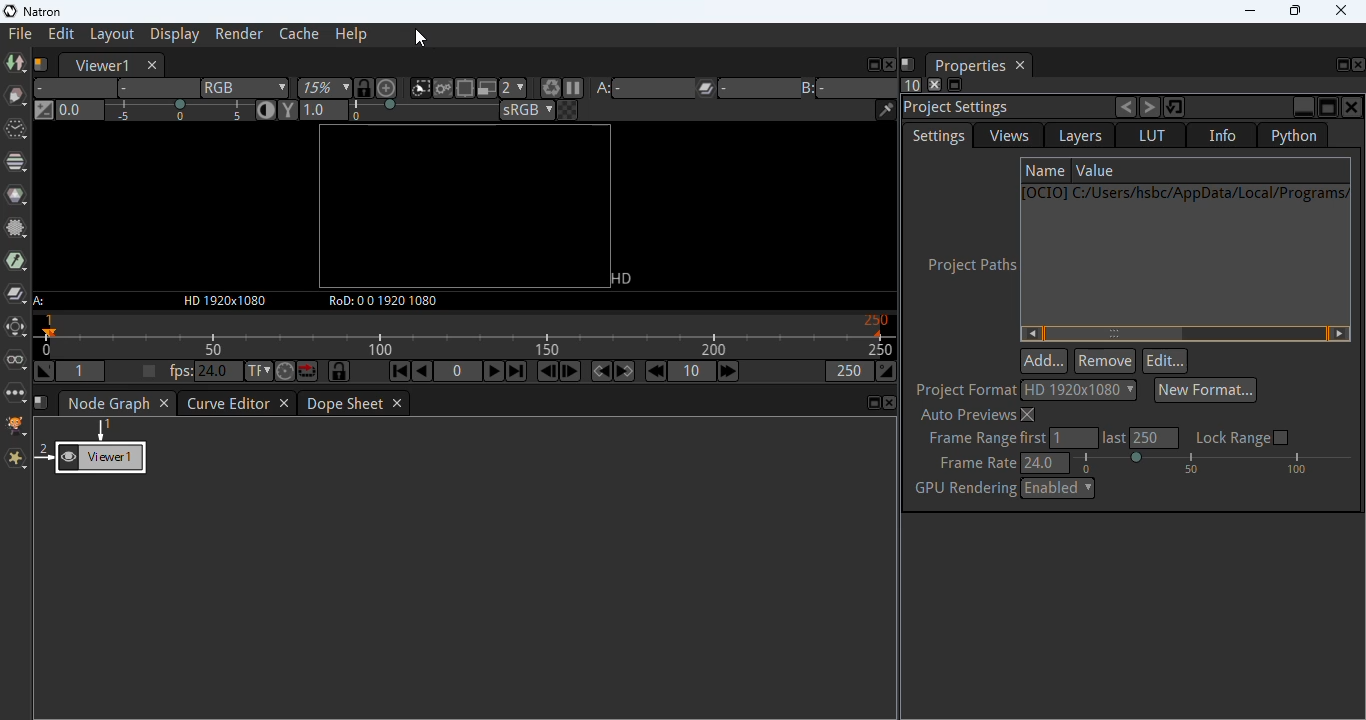 This screenshot has width=1366, height=720. What do you see at coordinates (40, 64) in the screenshot?
I see `script name: pane 1` at bounding box center [40, 64].